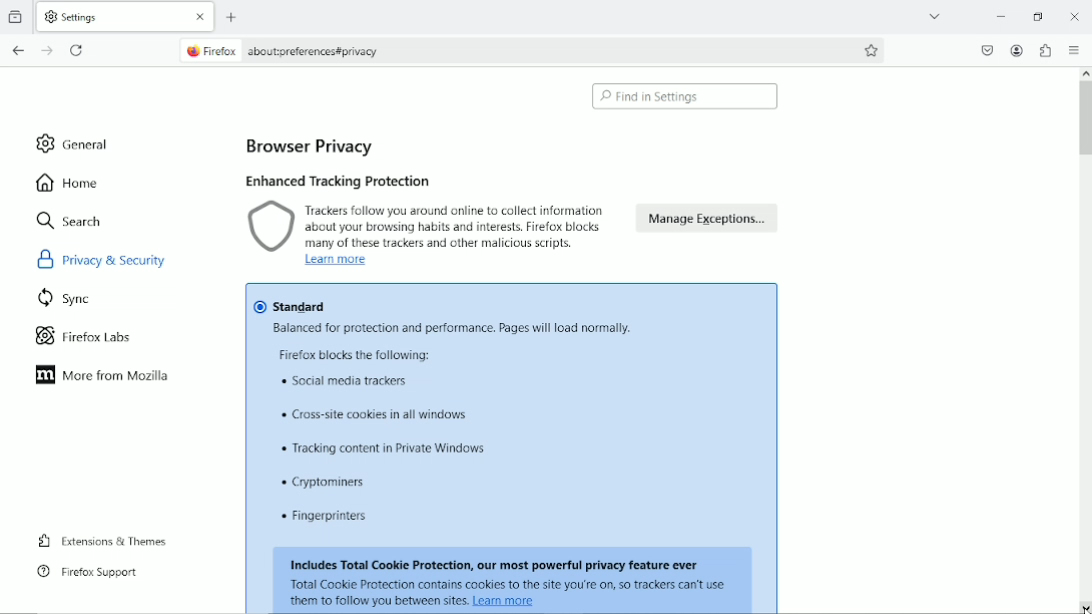 The image size is (1092, 614). I want to click on link, so click(505, 601).